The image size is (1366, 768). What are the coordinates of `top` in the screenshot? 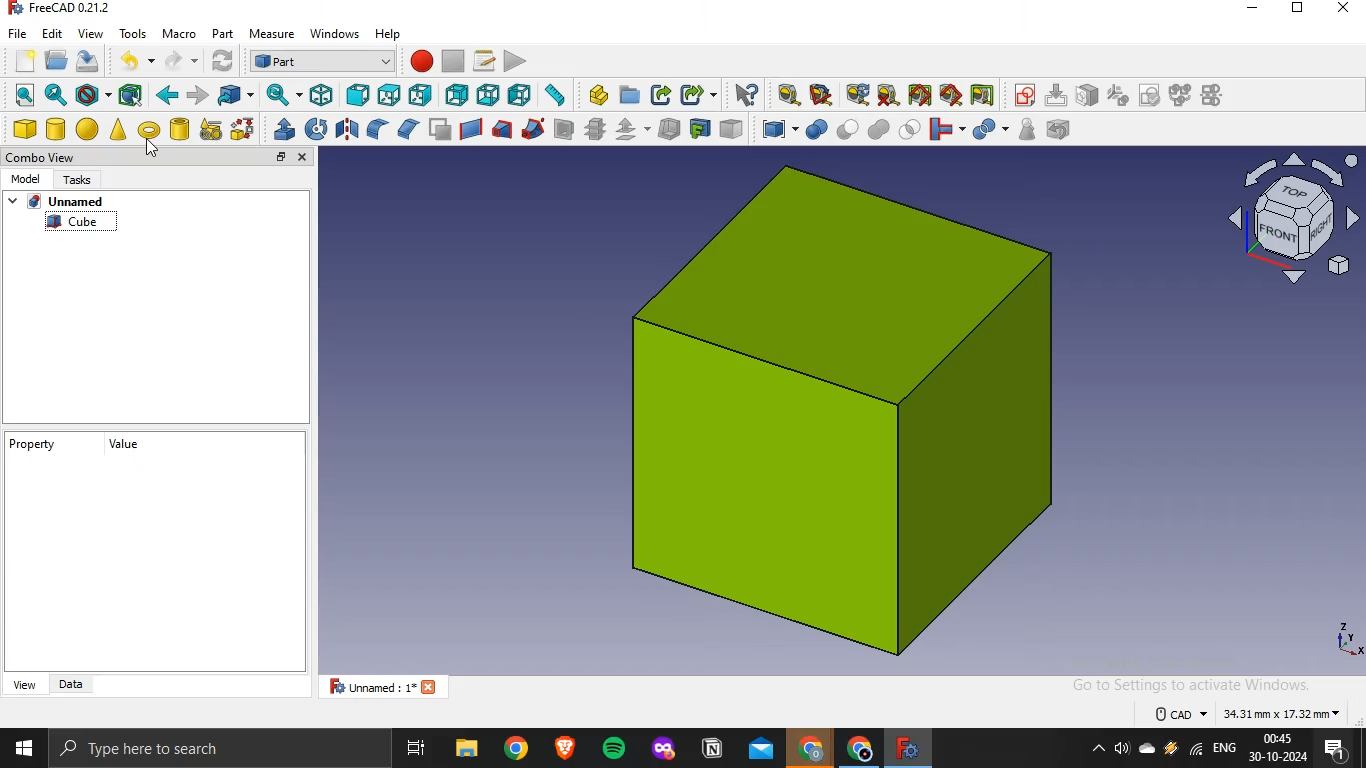 It's located at (388, 93).